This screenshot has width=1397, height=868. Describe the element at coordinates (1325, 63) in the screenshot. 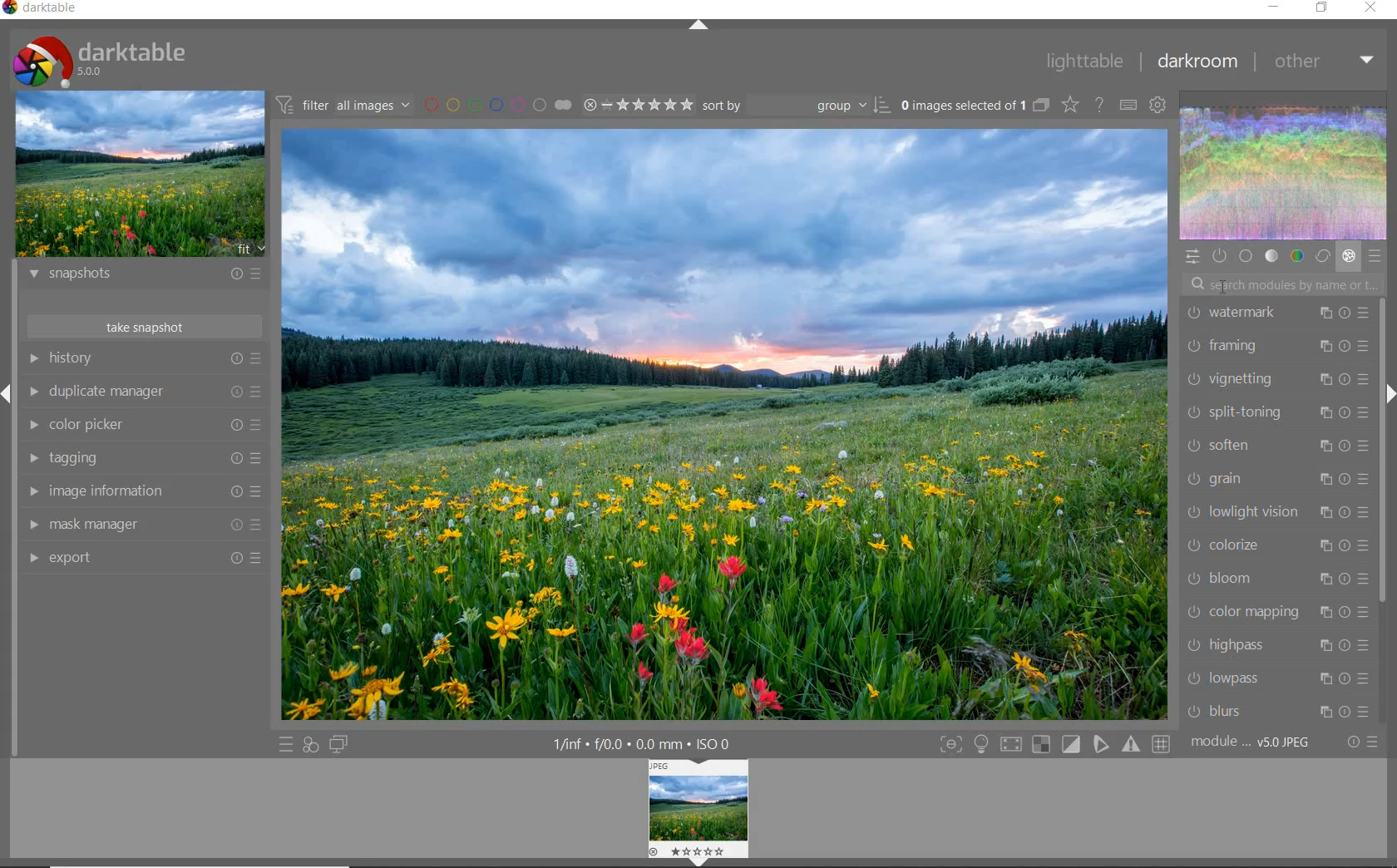

I see `other` at that location.